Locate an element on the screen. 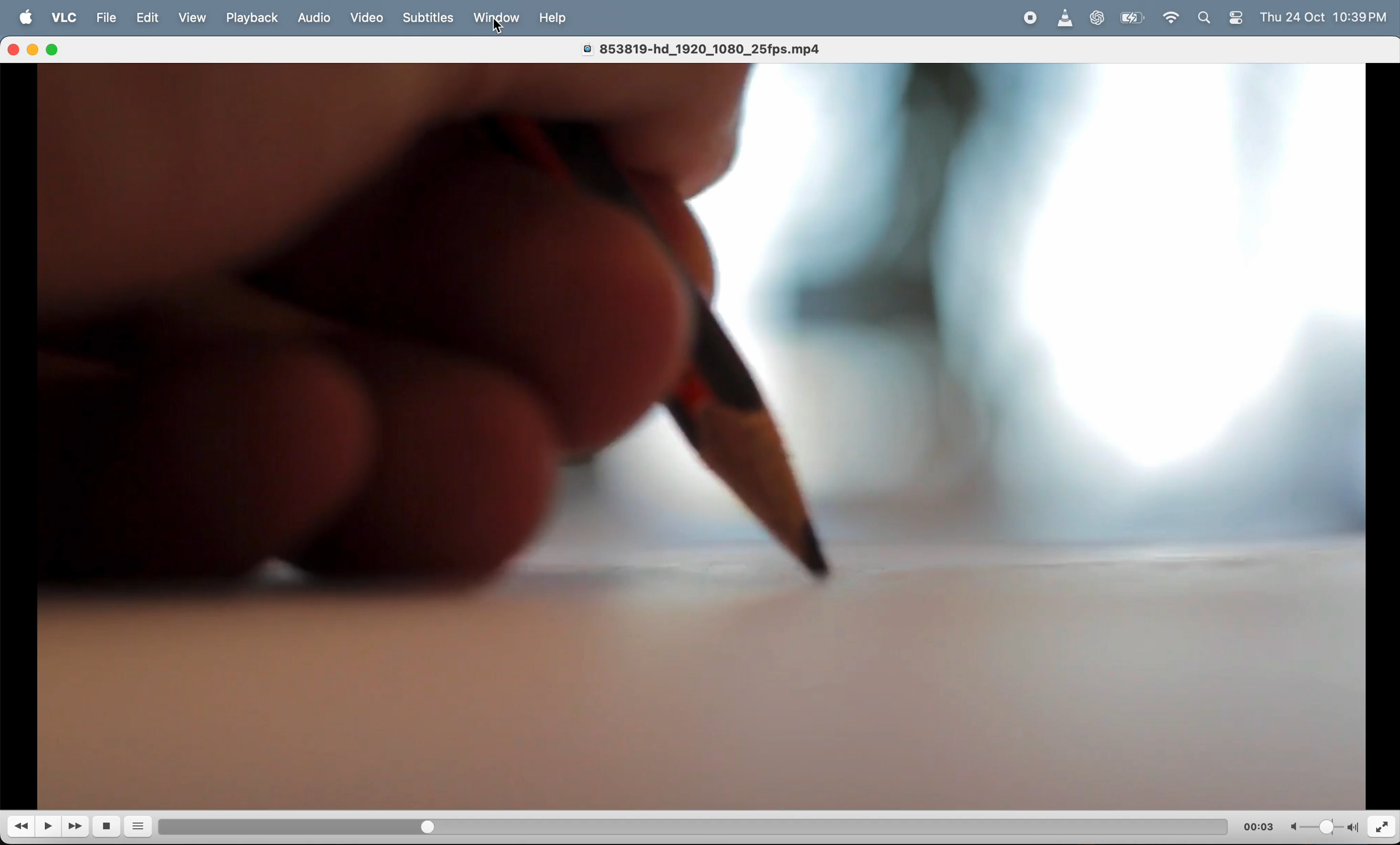  time is located at coordinates (1259, 826).